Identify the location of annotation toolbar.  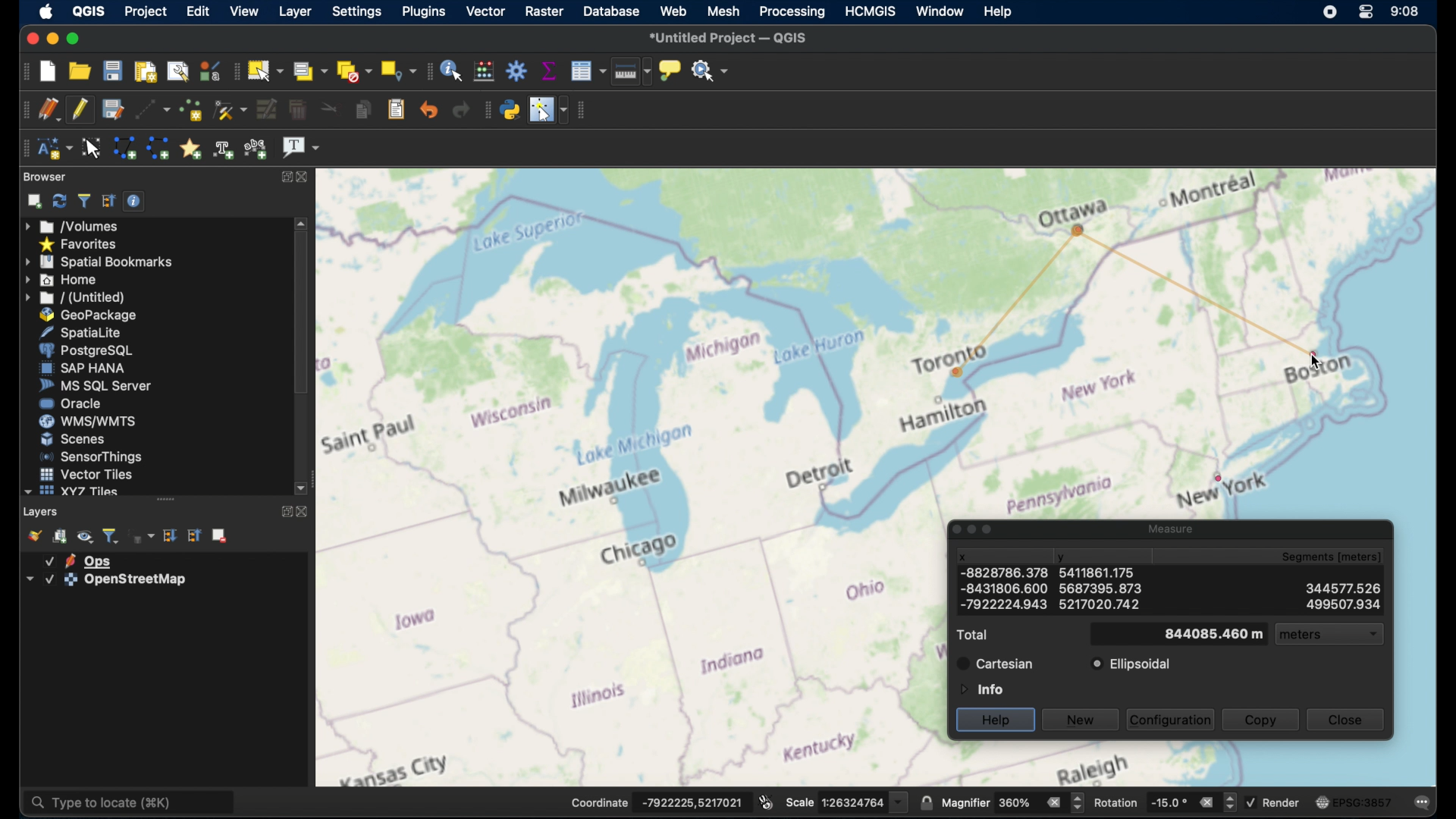
(25, 149).